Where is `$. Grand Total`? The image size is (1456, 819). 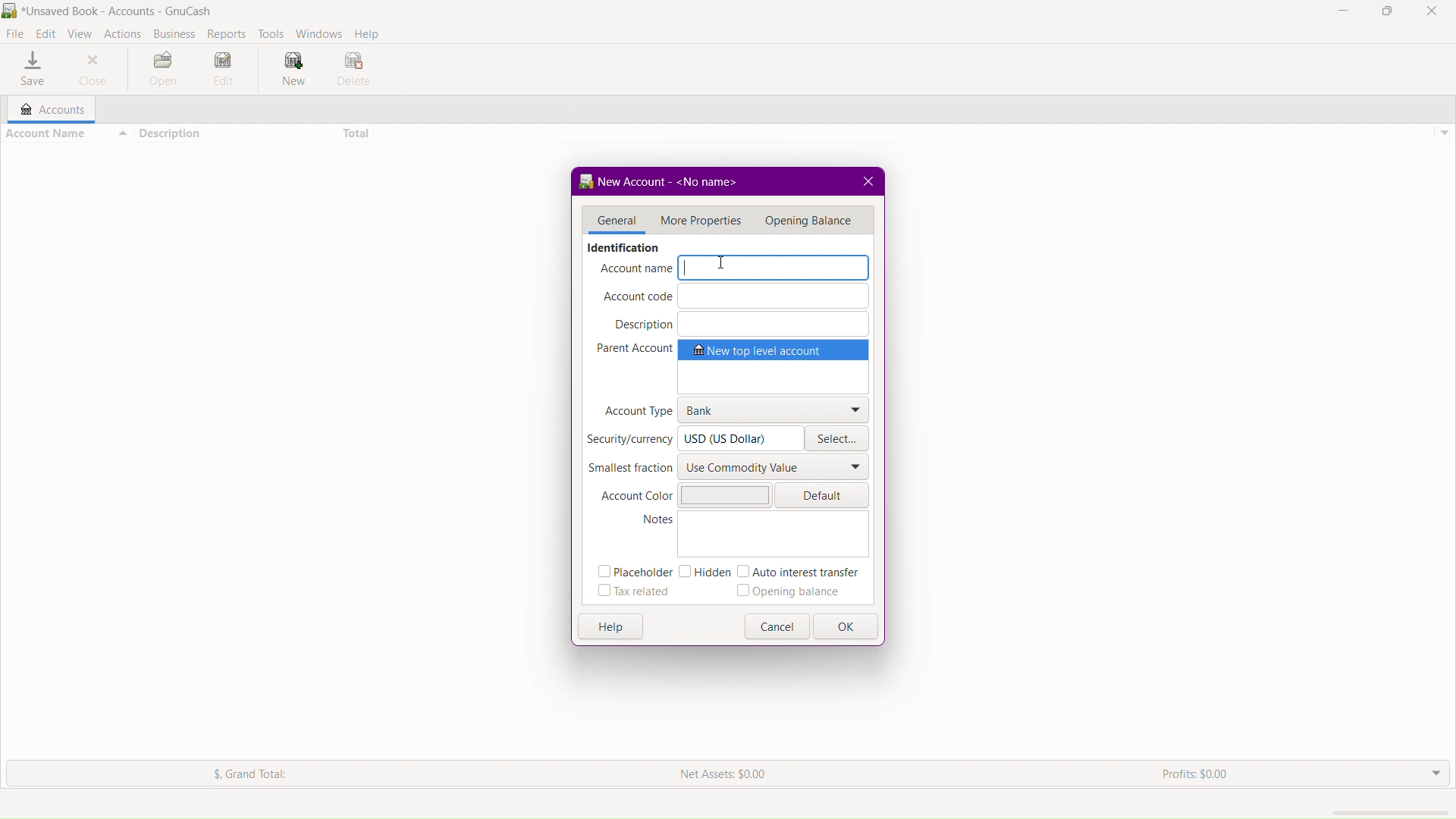
$. Grand Total is located at coordinates (231, 773).